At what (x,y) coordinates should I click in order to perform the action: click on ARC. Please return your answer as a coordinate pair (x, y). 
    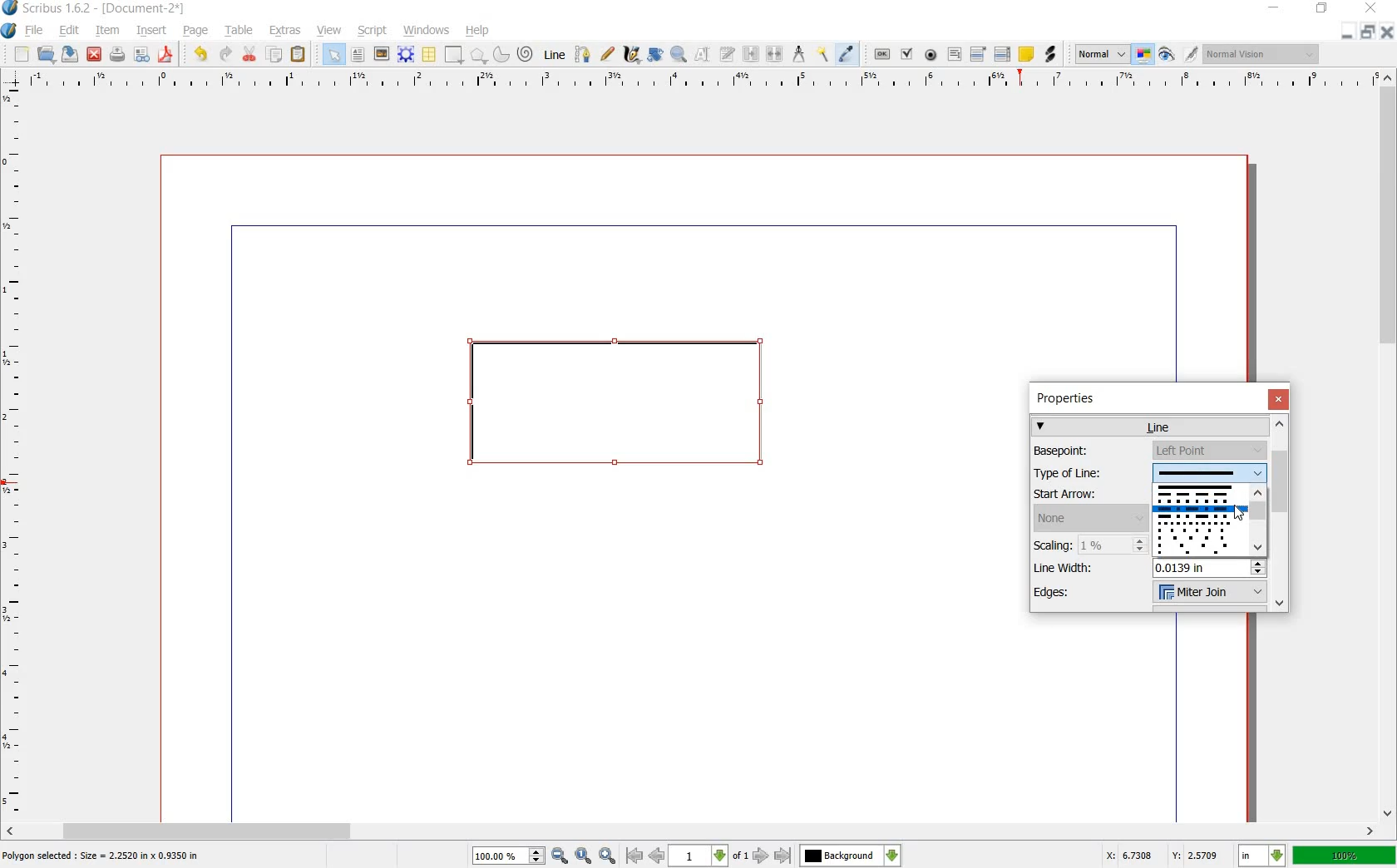
    Looking at the image, I should click on (501, 53).